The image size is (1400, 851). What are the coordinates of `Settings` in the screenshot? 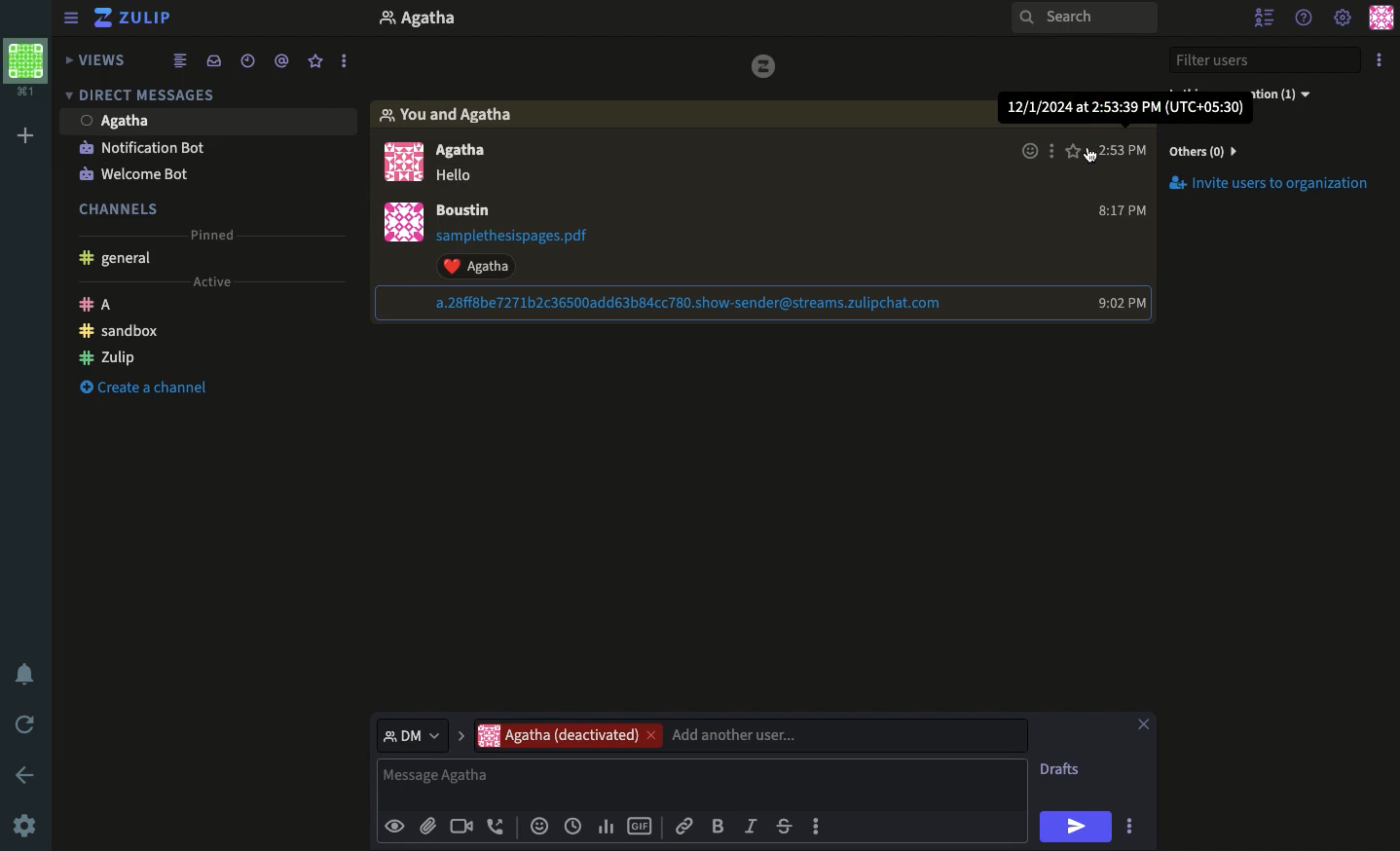 It's located at (1344, 18).